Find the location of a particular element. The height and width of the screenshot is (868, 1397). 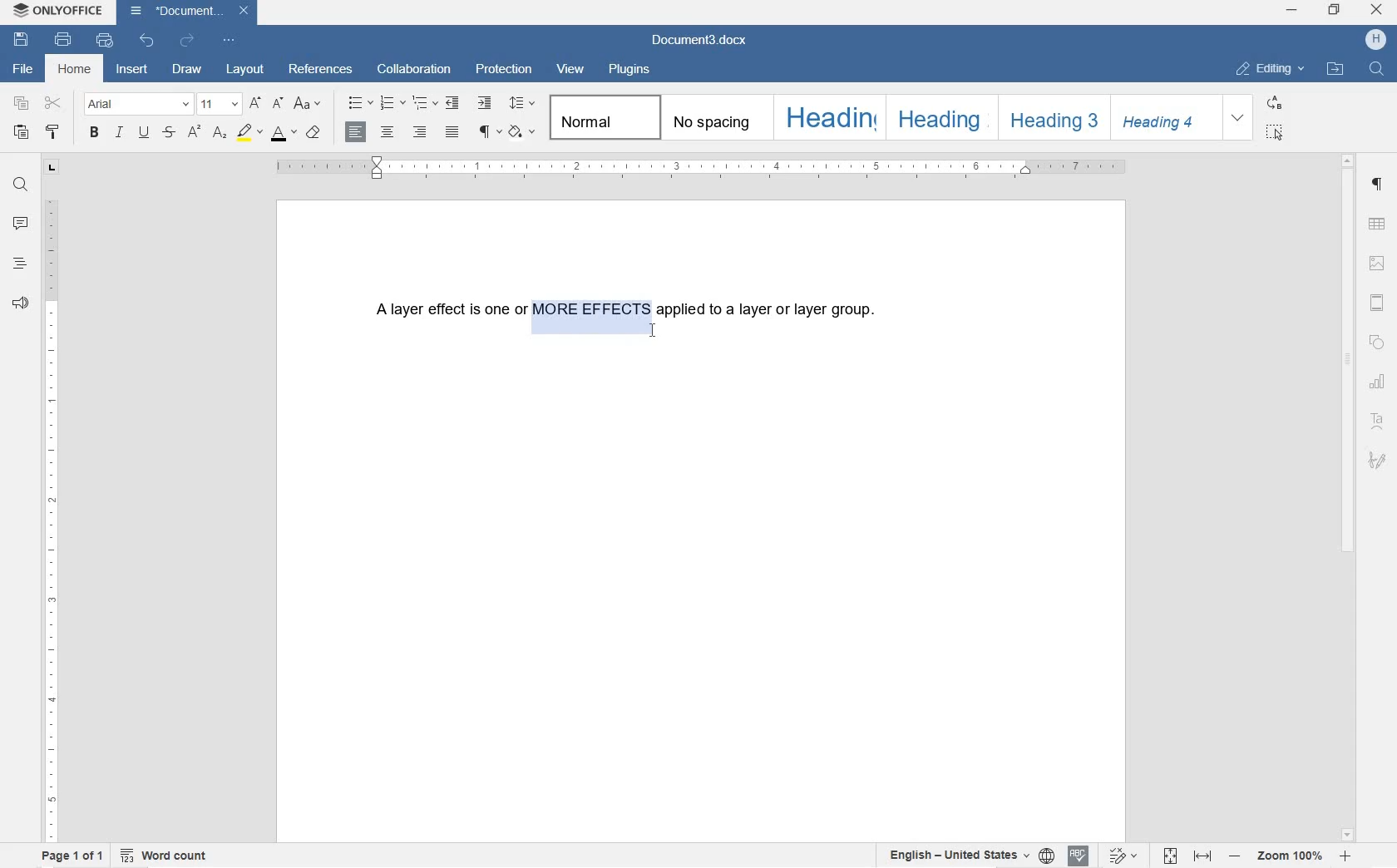

COLLABORATION is located at coordinates (414, 68).